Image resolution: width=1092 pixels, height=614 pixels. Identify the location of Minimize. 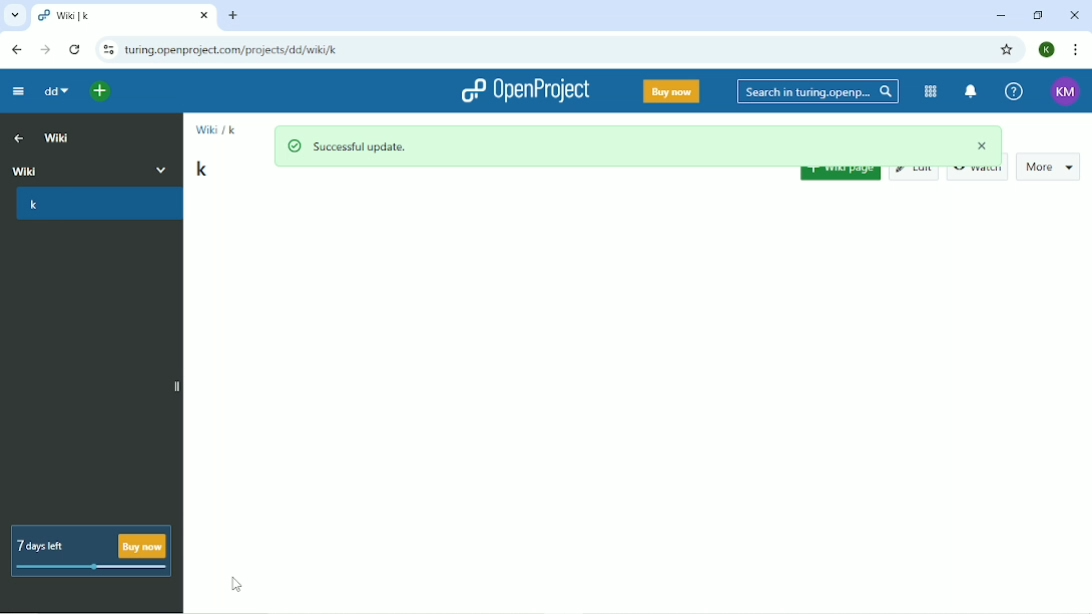
(999, 15).